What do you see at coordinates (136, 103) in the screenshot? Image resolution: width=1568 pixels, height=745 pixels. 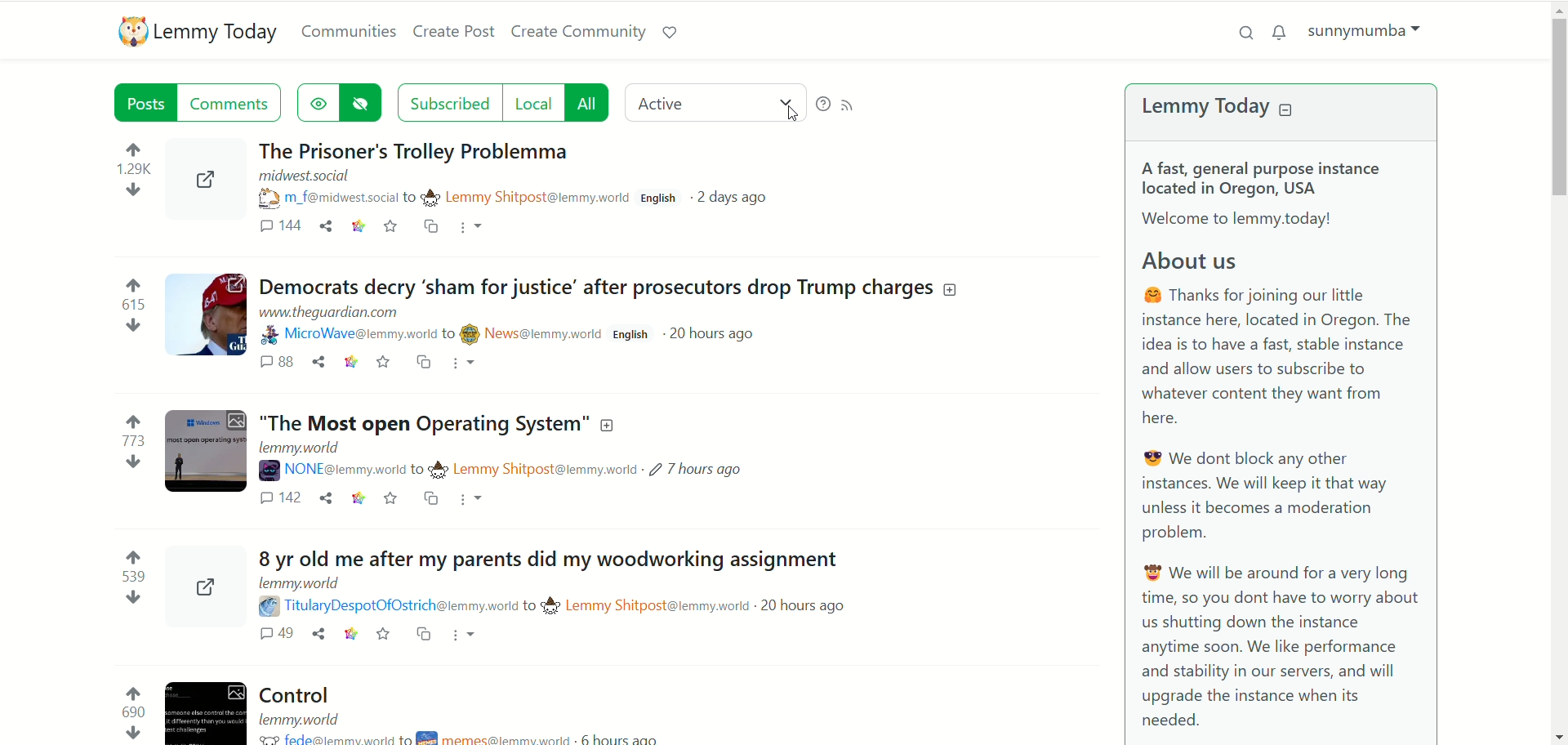 I see `posts` at bounding box center [136, 103].